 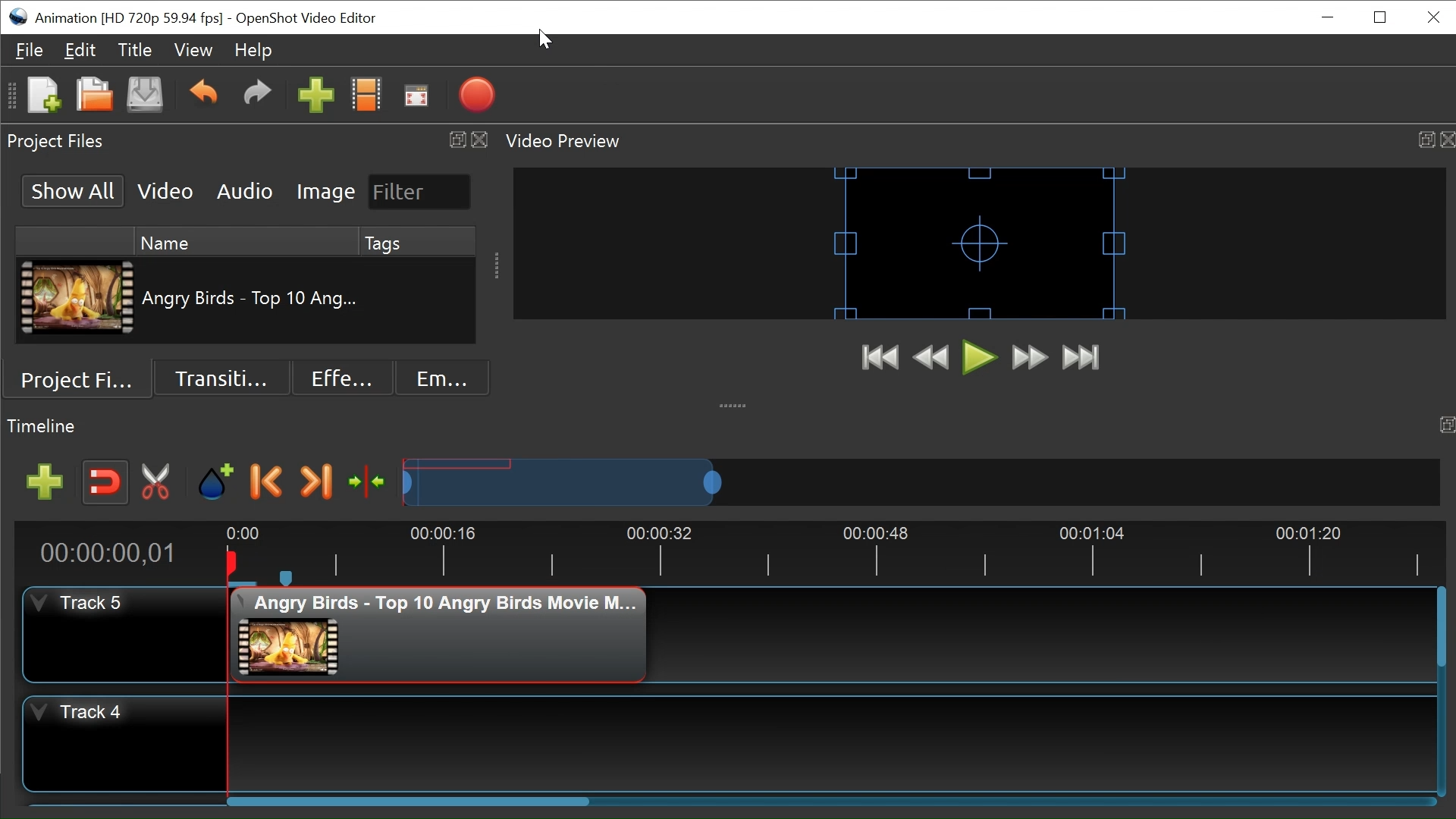 What do you see at coordinates (982, 359) in the screenshot?
I see `Toggle play or pause` at bounding box center [982, 359].